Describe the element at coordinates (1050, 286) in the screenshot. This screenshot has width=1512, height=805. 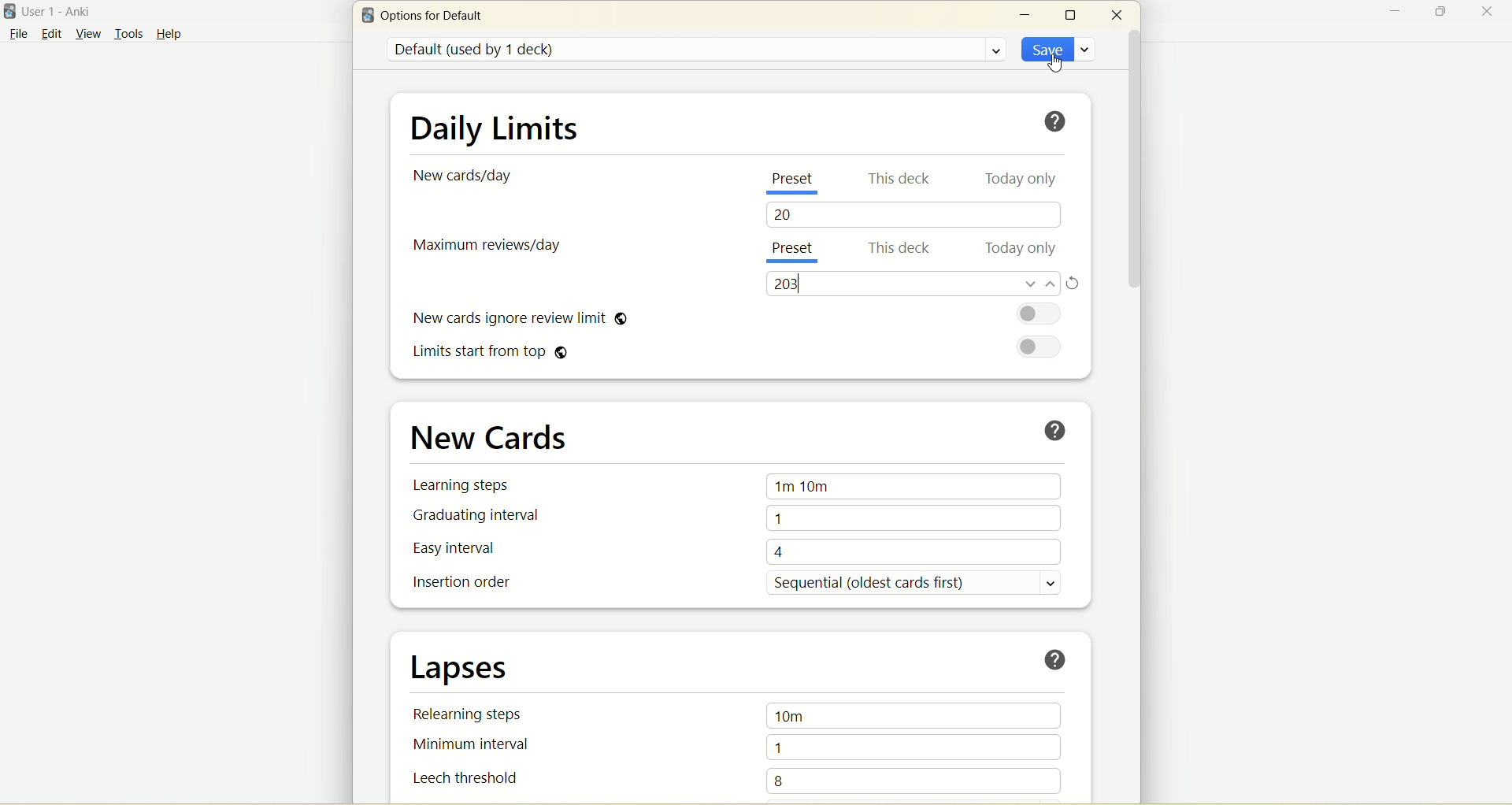
I see `increase` at that location.